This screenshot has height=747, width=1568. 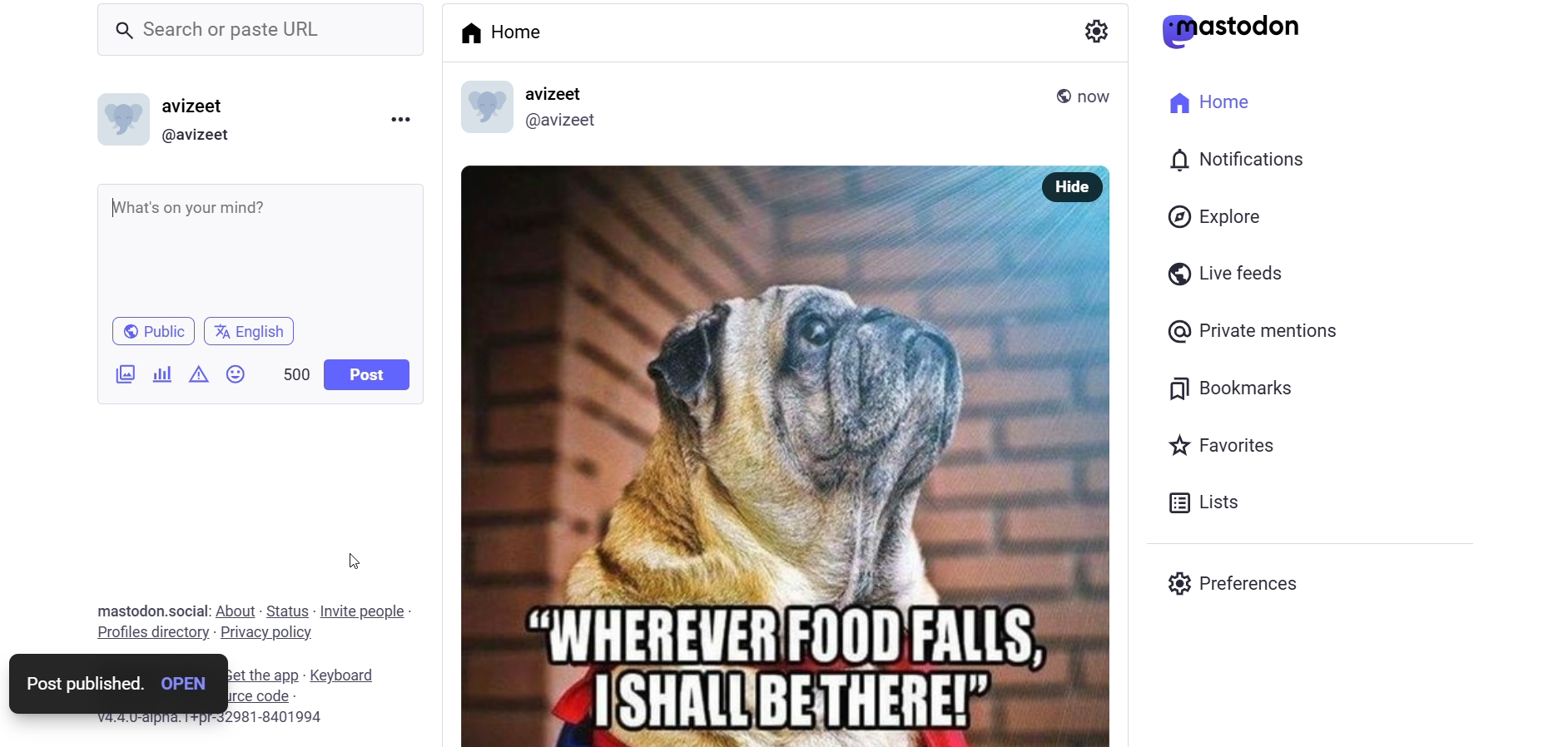 What do you see at coordinates (1260, 332) in the screenshot?
I see `private mention` at bounding box center [1260, 332].